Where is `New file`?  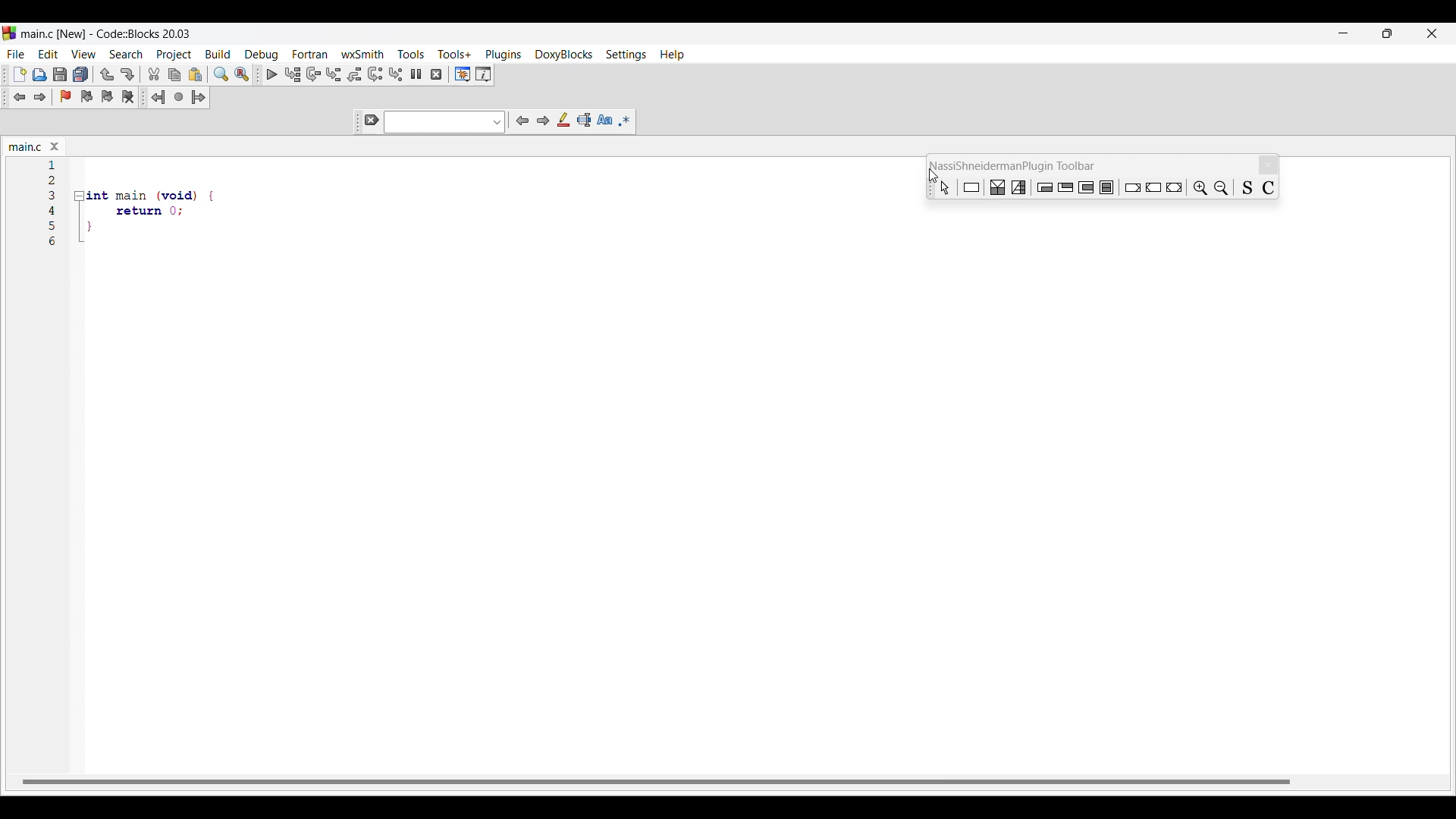
New file is located at coordinates (20, 74).